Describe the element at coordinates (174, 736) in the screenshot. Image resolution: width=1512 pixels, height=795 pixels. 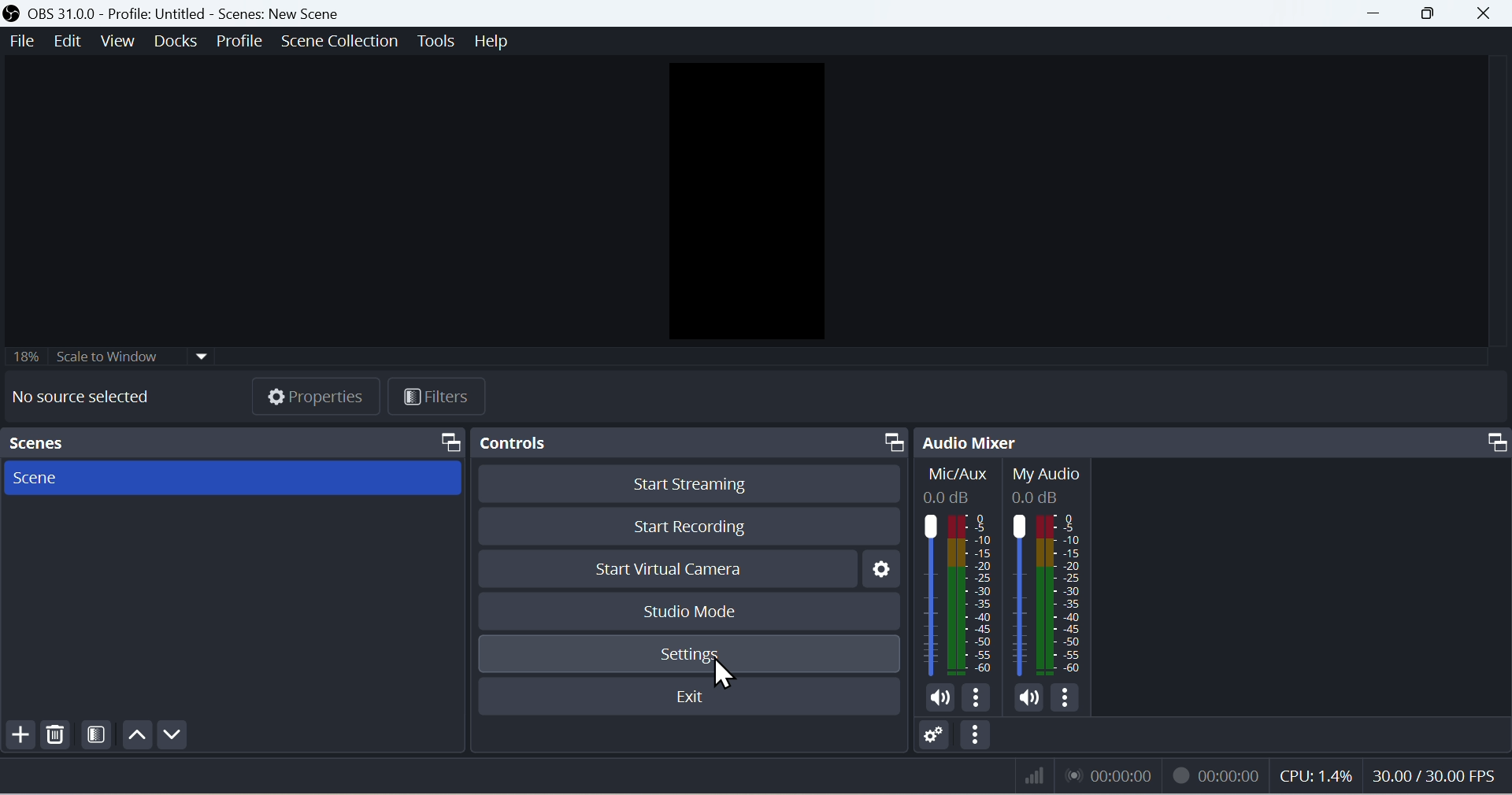
I see `Down` at that location.